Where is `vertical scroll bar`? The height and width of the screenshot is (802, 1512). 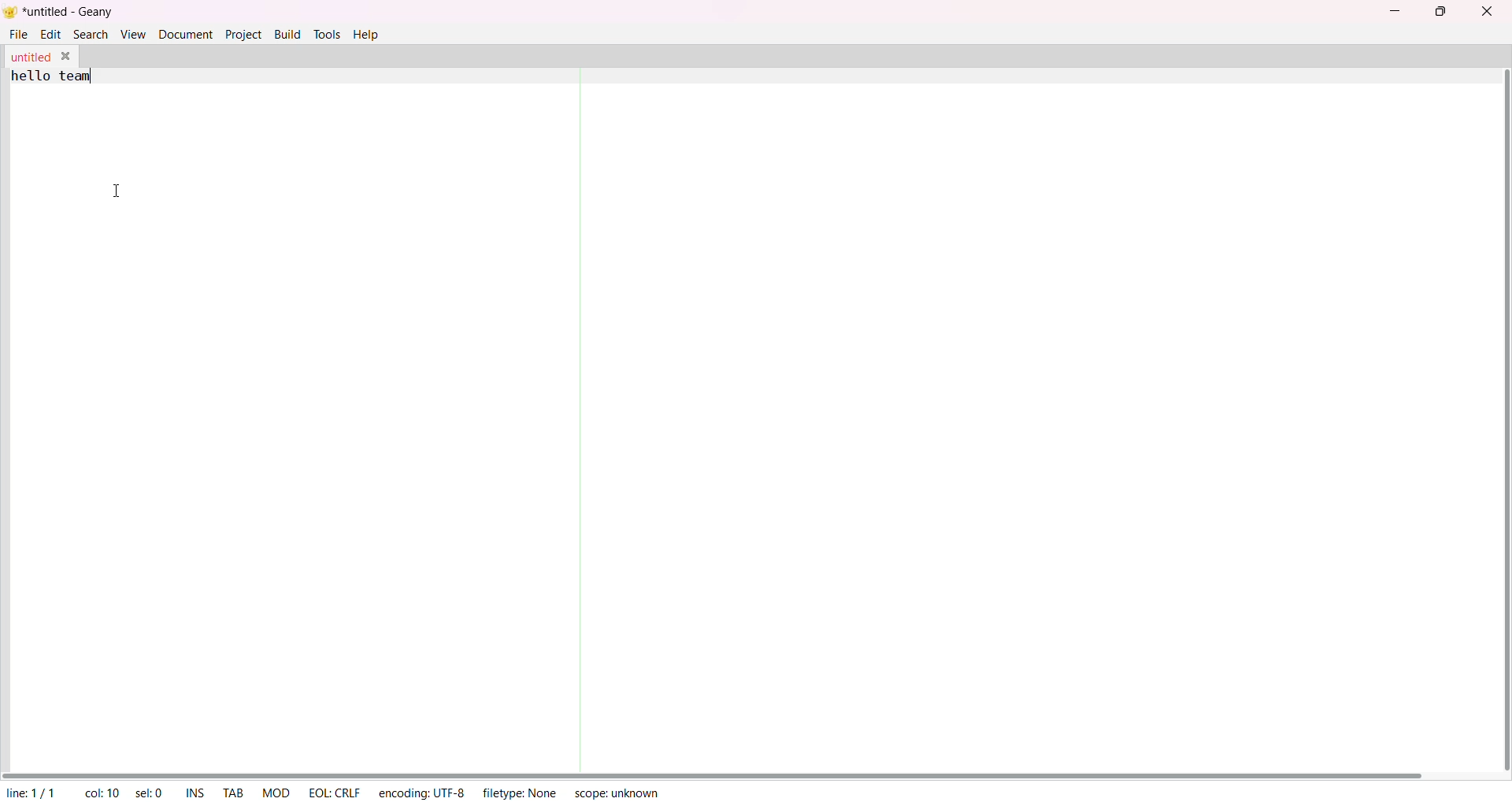 vertical scroll bar is located at coordinates (1502, 414).